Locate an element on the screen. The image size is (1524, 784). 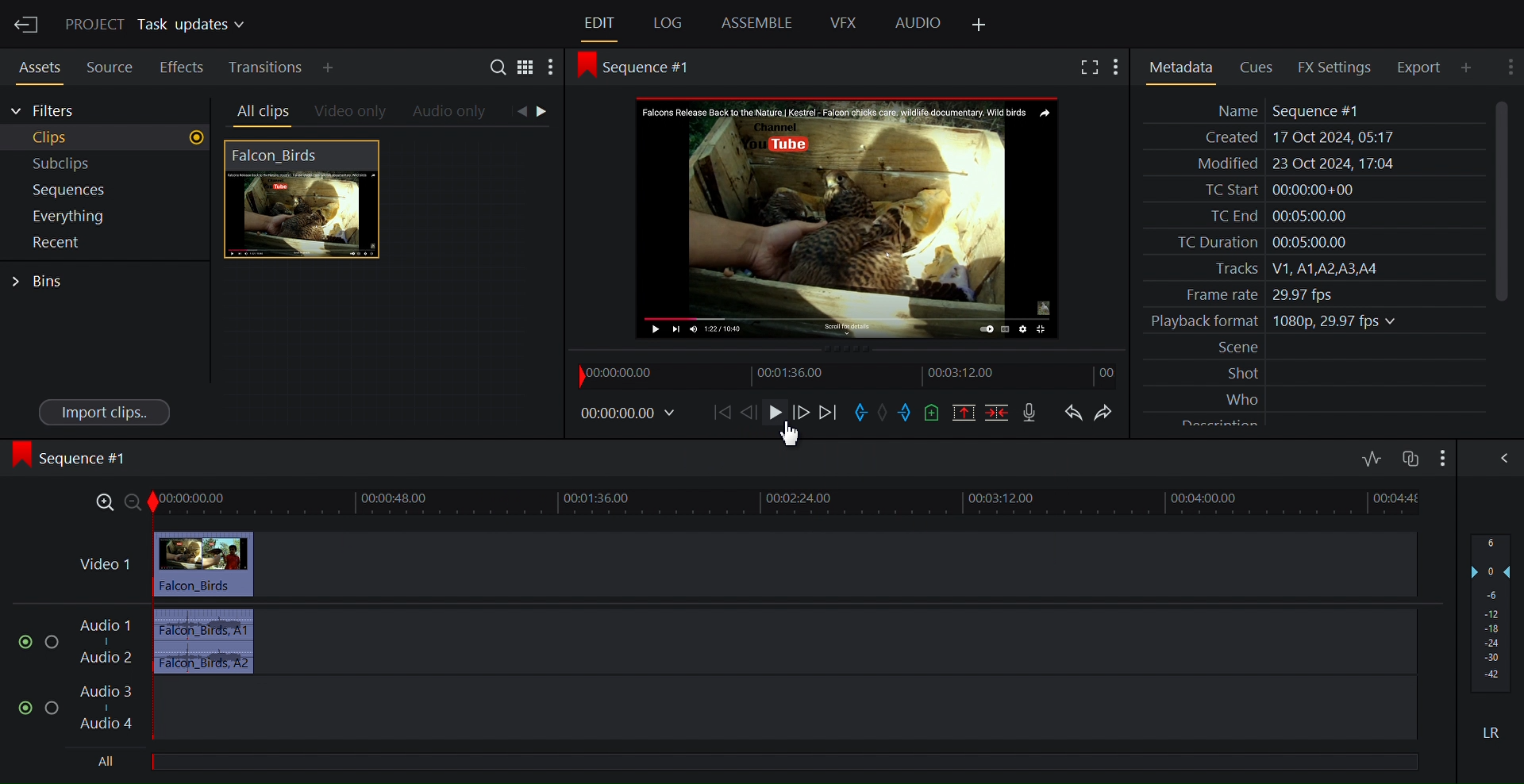
Cues is located at coordinates (1261, 66).